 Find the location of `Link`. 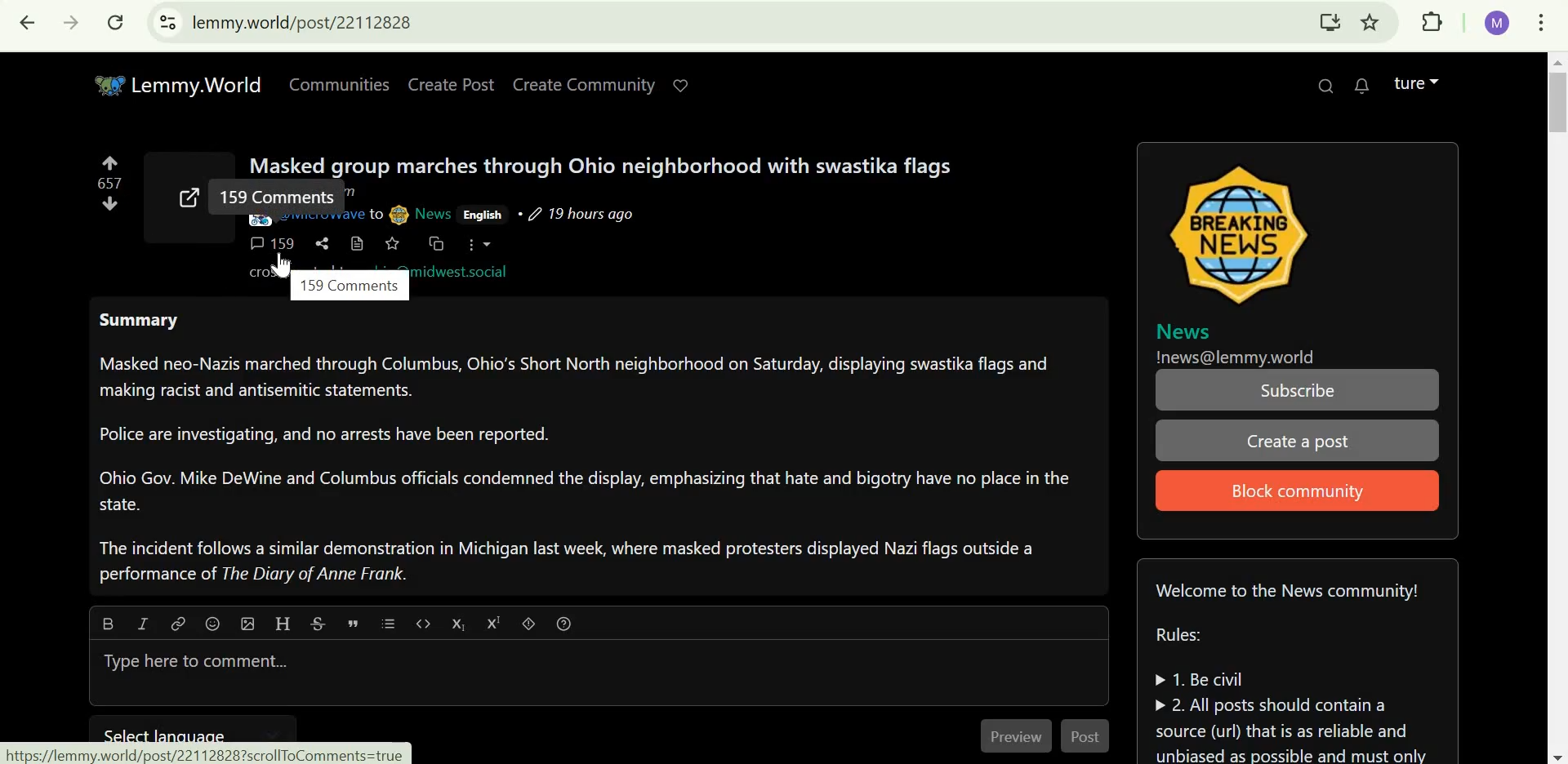

Link is located at coordinates (178, 623).